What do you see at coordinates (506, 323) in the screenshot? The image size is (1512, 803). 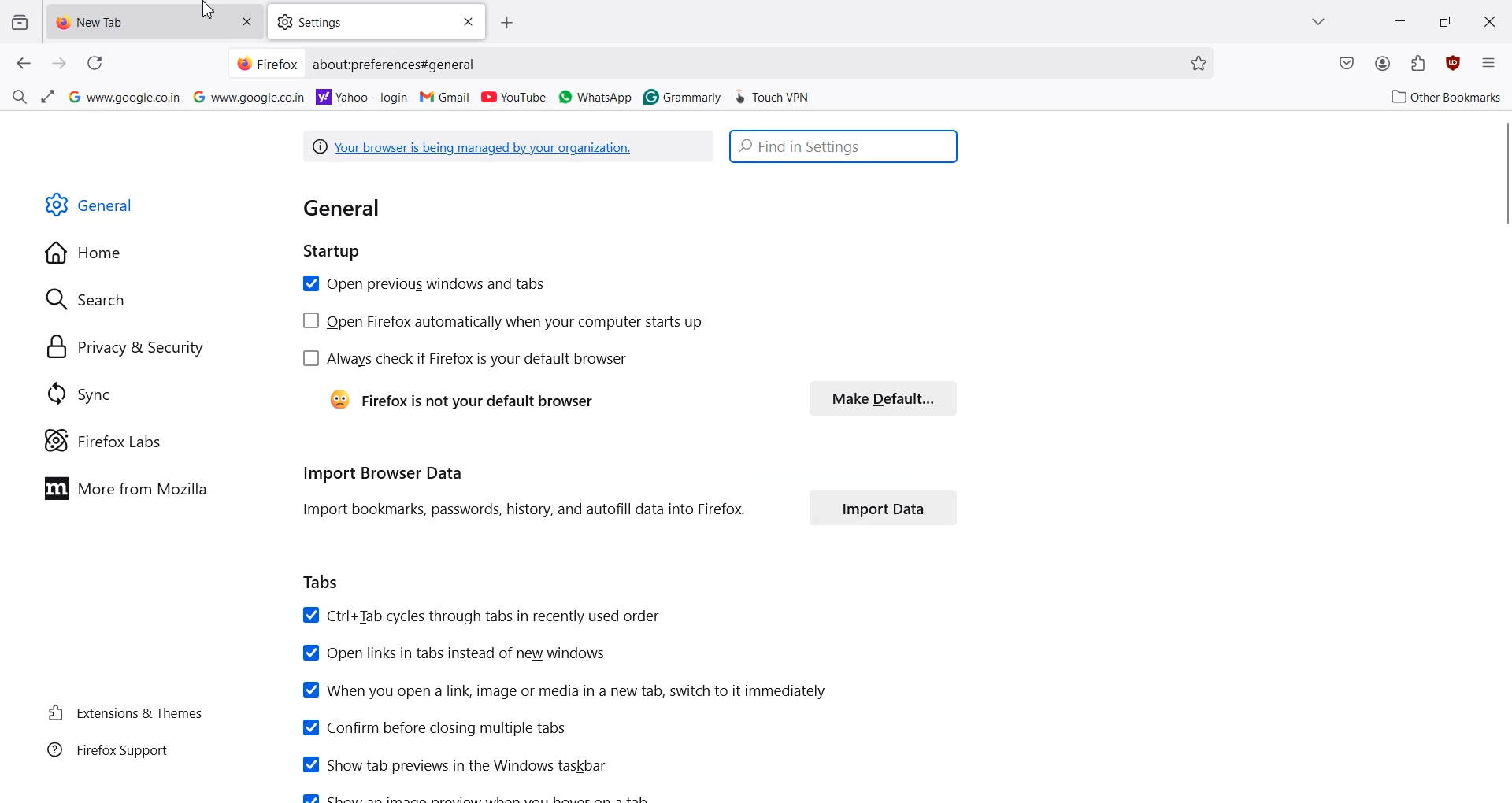 I see `Open Firefox automatically when your computer starts up` at bounding box center [506, 323].